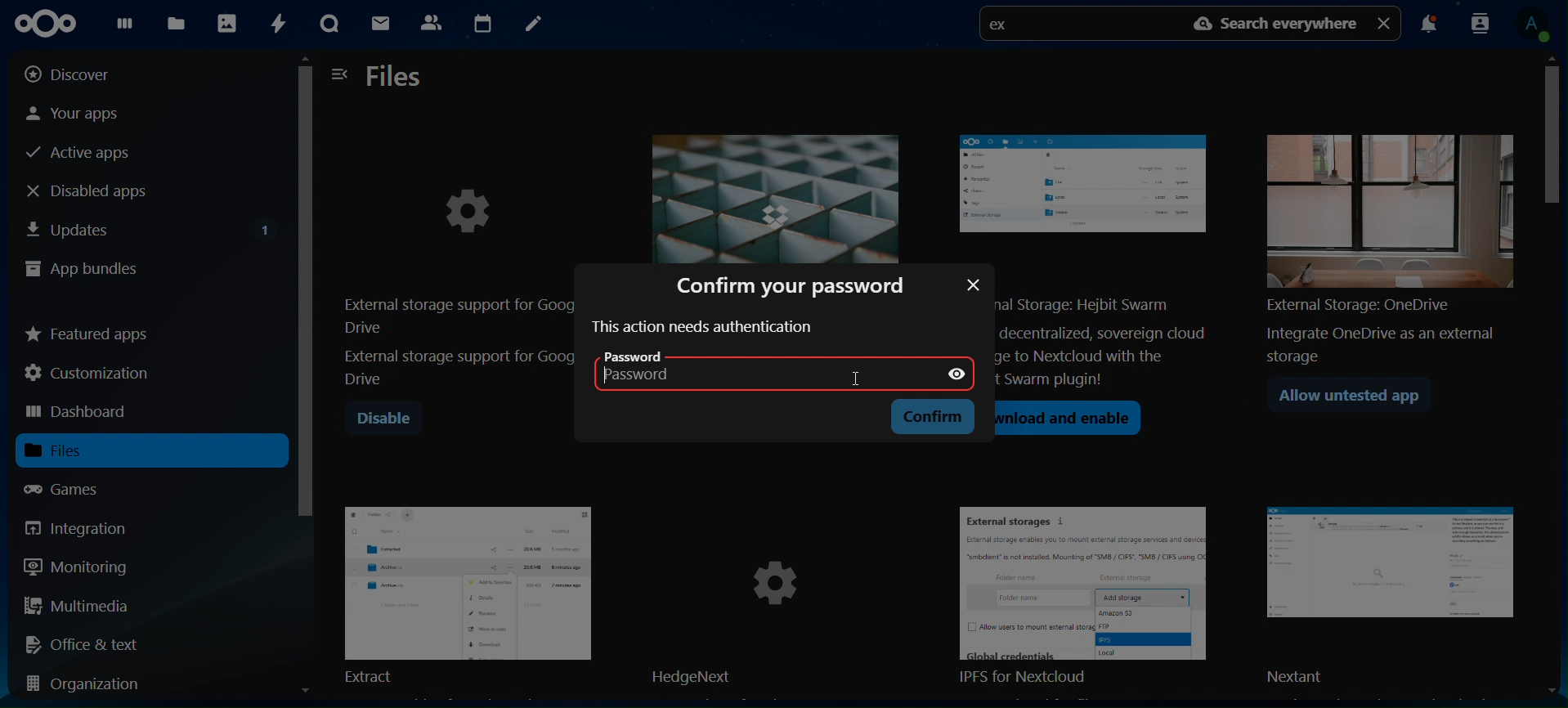 This screenshot has height=708, width=1568. I want to click on disable, so click(383, 419).